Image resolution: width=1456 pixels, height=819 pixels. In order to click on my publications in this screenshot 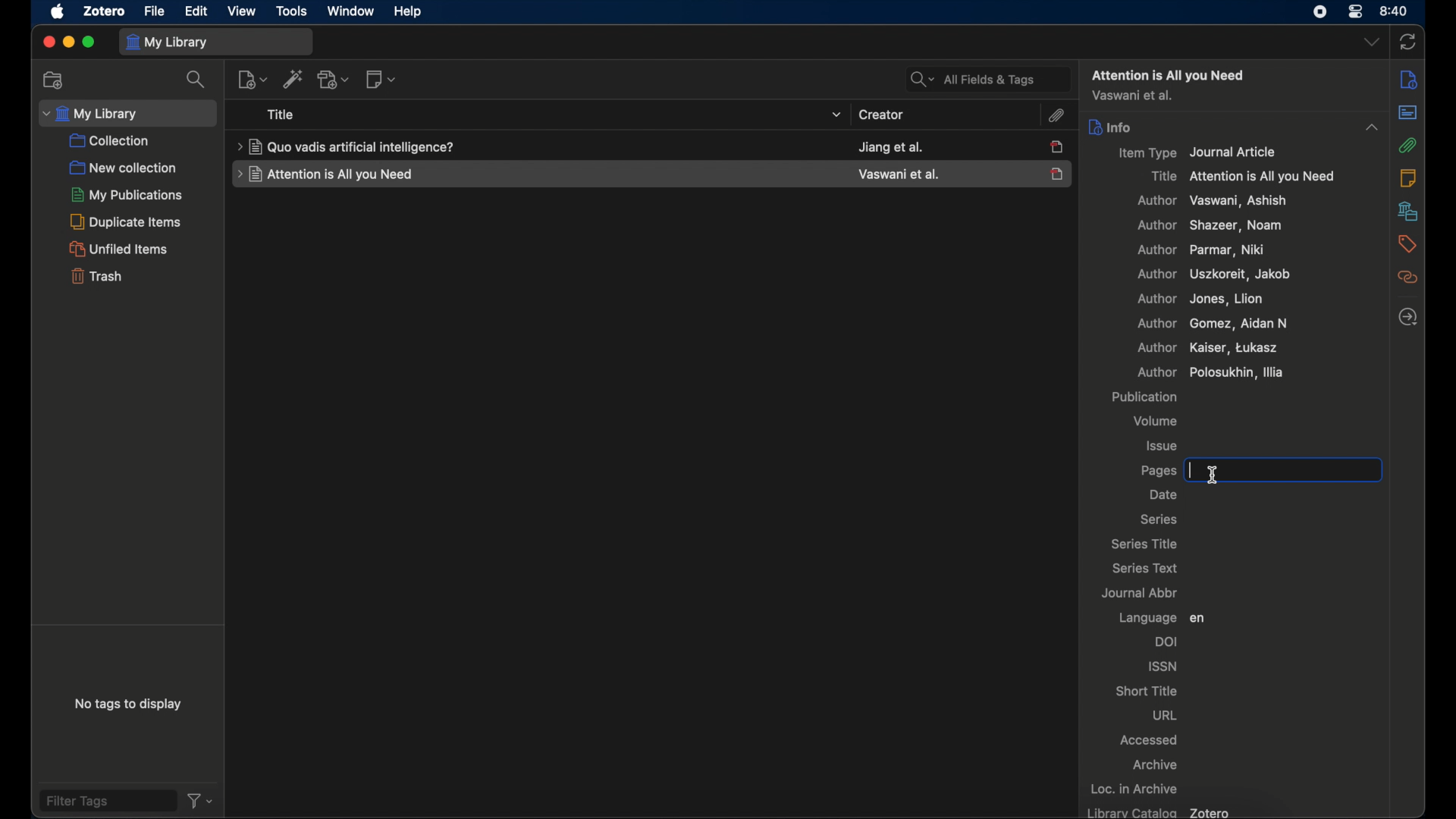, I will do `click(124, 195)`.